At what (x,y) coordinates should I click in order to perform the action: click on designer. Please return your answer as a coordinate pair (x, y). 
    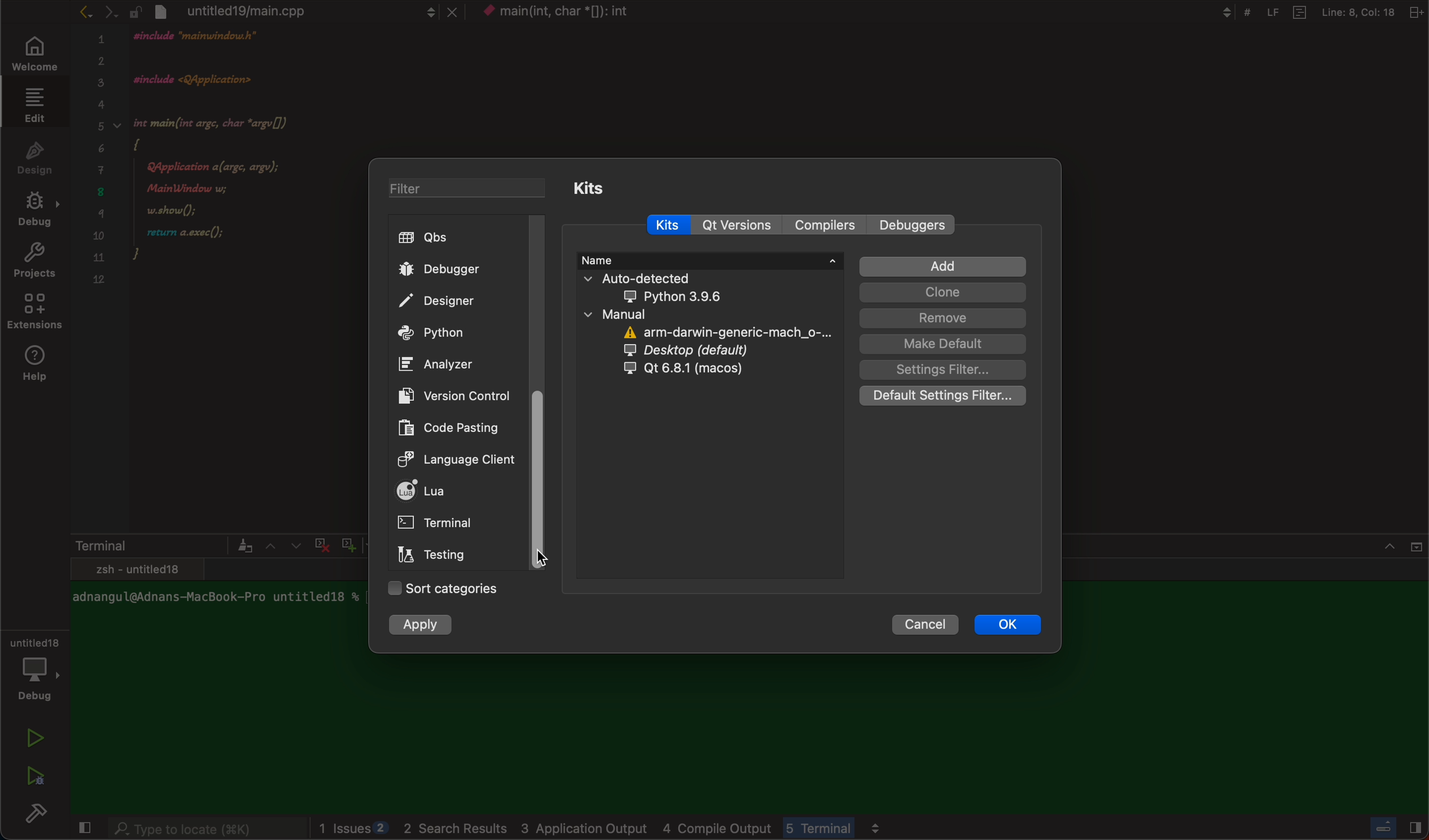
    Looking at the image, I should click on (456, 302).